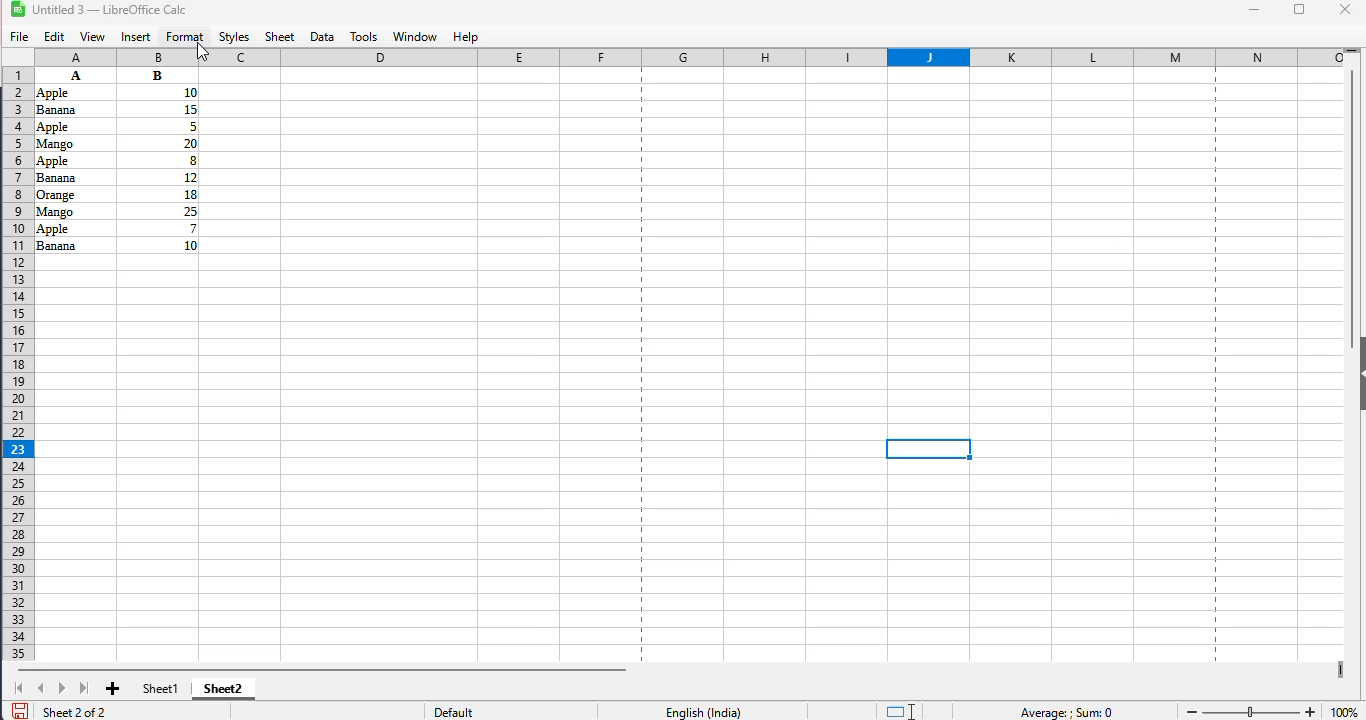 This screenshot has height=720, width=1366. What do you see at coordinates (85, 687) in the screenshot?
I see `scroll to last sheet` at bounding box center [85, 687].